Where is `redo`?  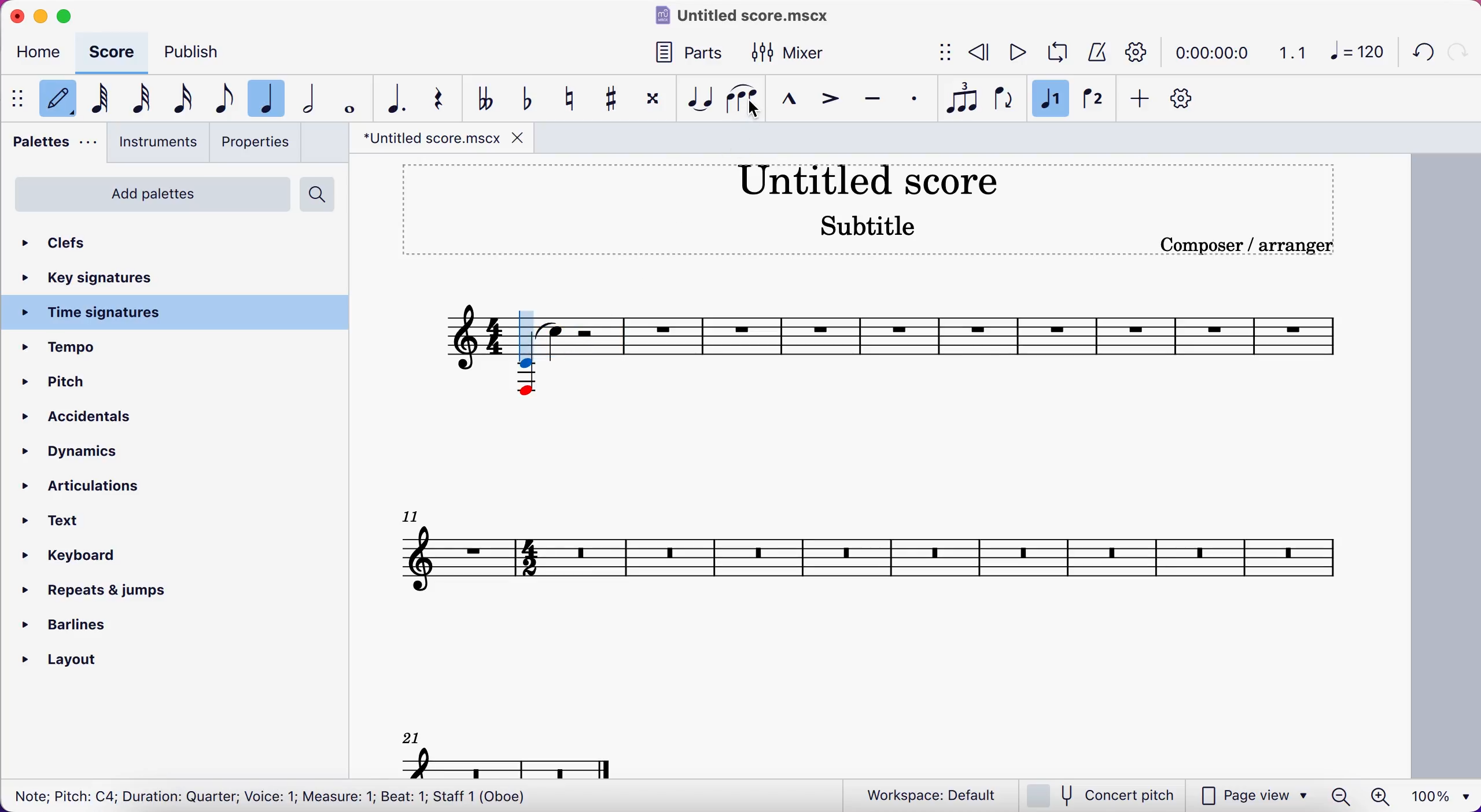 redo is located at coordinates (1458, 51).